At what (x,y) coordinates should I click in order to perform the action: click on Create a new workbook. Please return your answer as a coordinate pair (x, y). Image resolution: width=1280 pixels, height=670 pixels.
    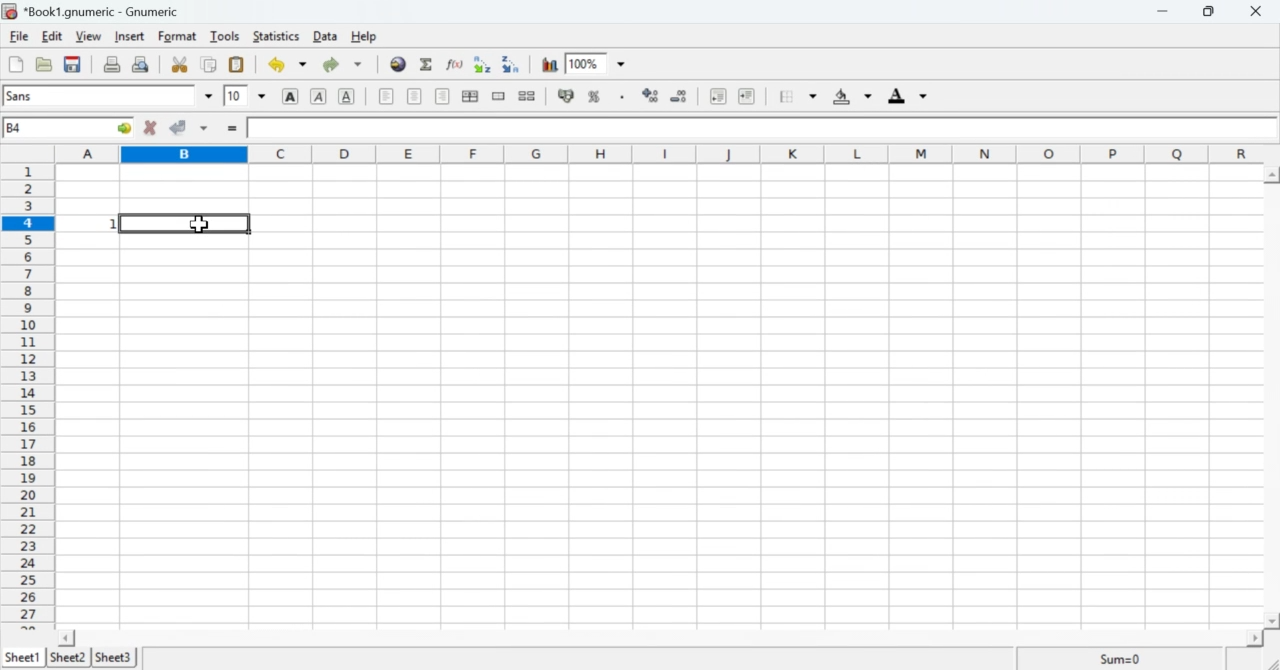
    Looking at the image, I should click on (15, 65).